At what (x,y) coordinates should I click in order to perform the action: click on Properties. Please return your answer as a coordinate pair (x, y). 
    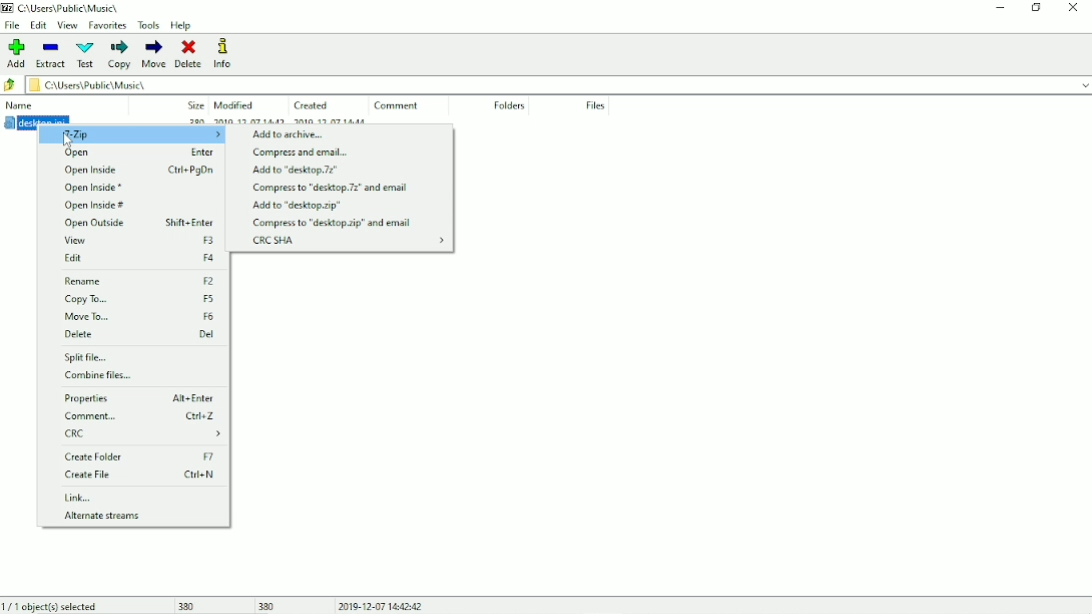
    Looking at the image, I should click on (139, 399).